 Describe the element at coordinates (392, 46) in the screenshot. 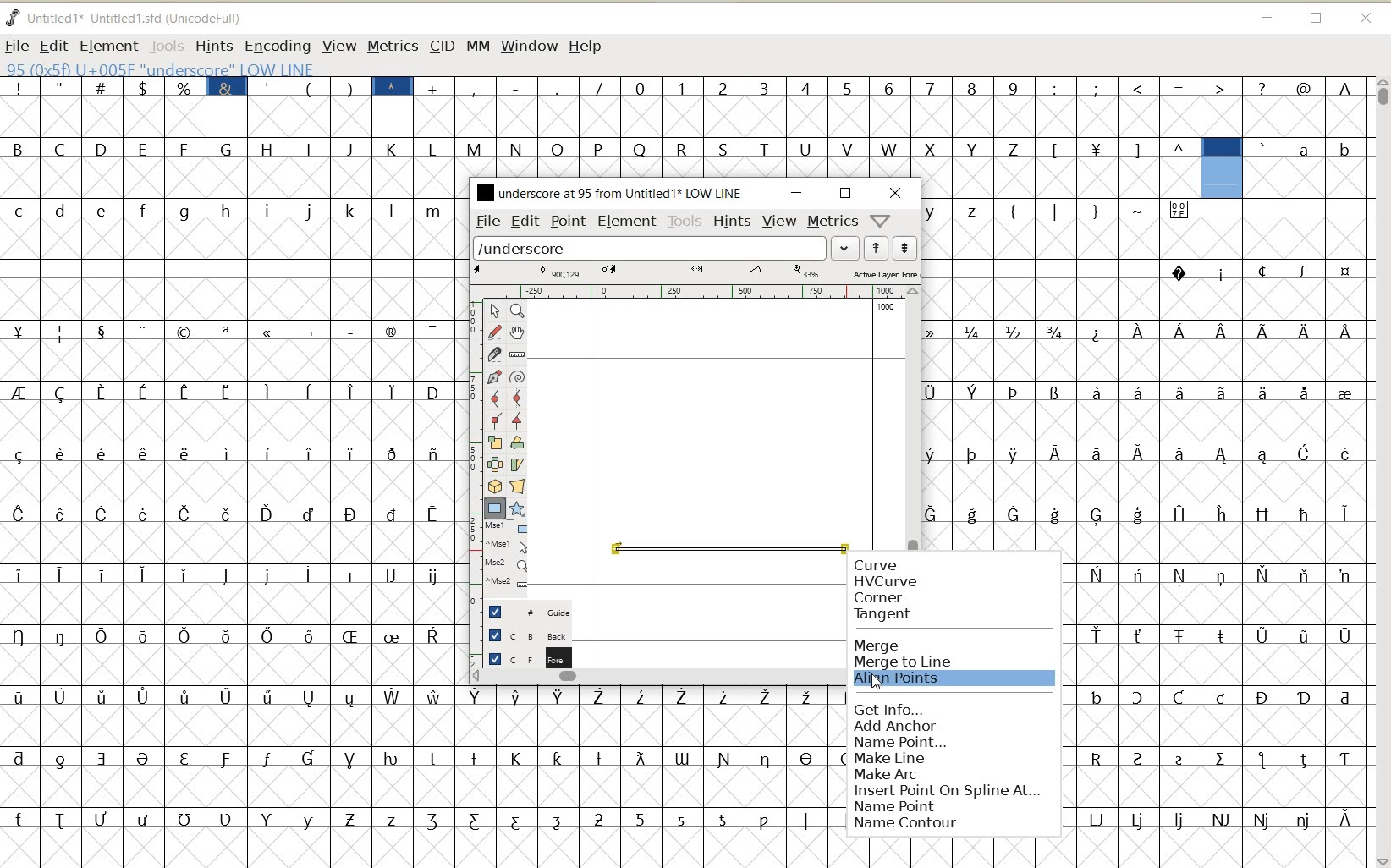

I see `METRICS` at that location.